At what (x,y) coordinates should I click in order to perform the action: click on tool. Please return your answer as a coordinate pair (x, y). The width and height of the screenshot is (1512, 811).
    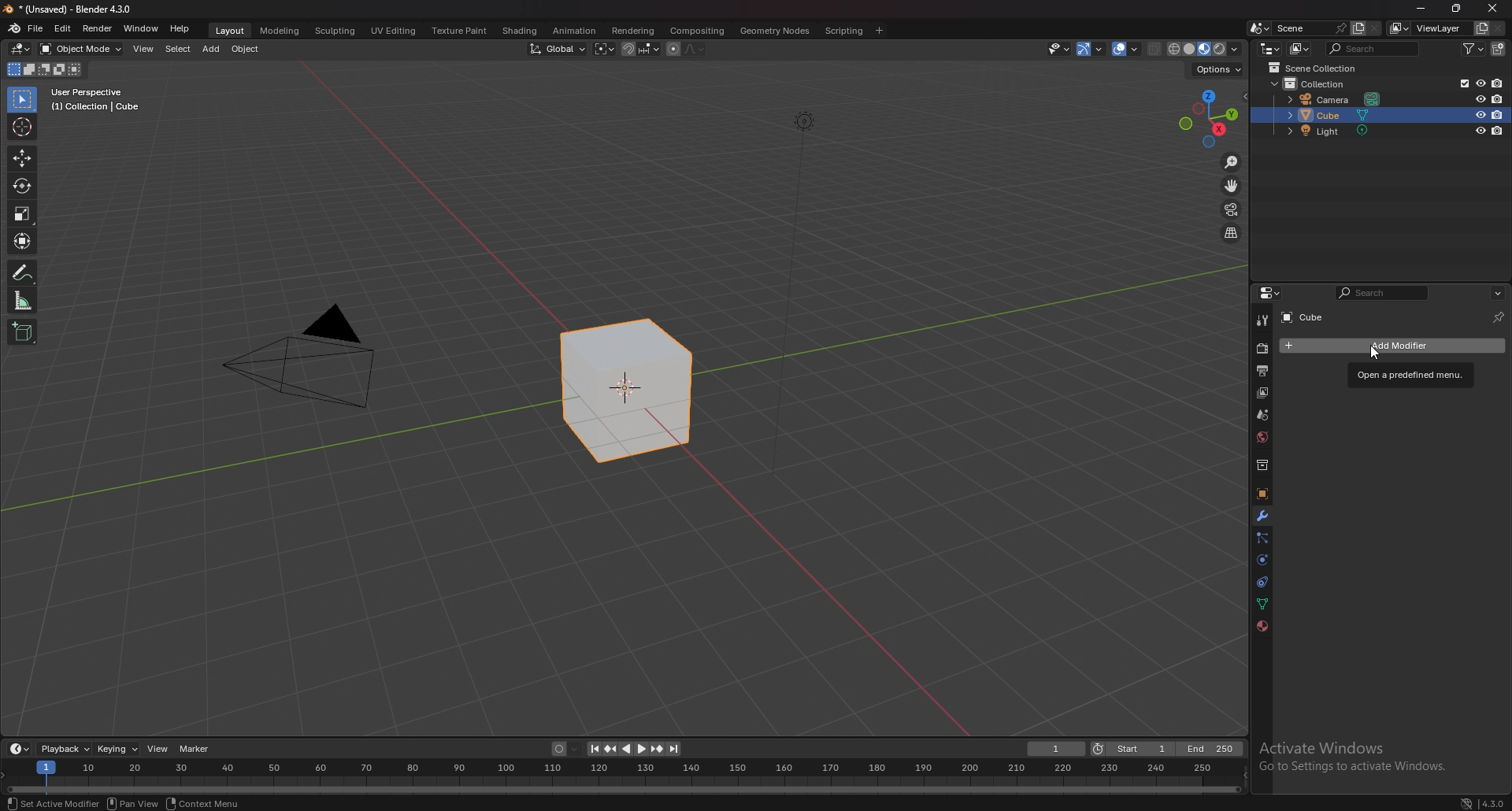
    Looking at the image, I should click on (1262, 321).